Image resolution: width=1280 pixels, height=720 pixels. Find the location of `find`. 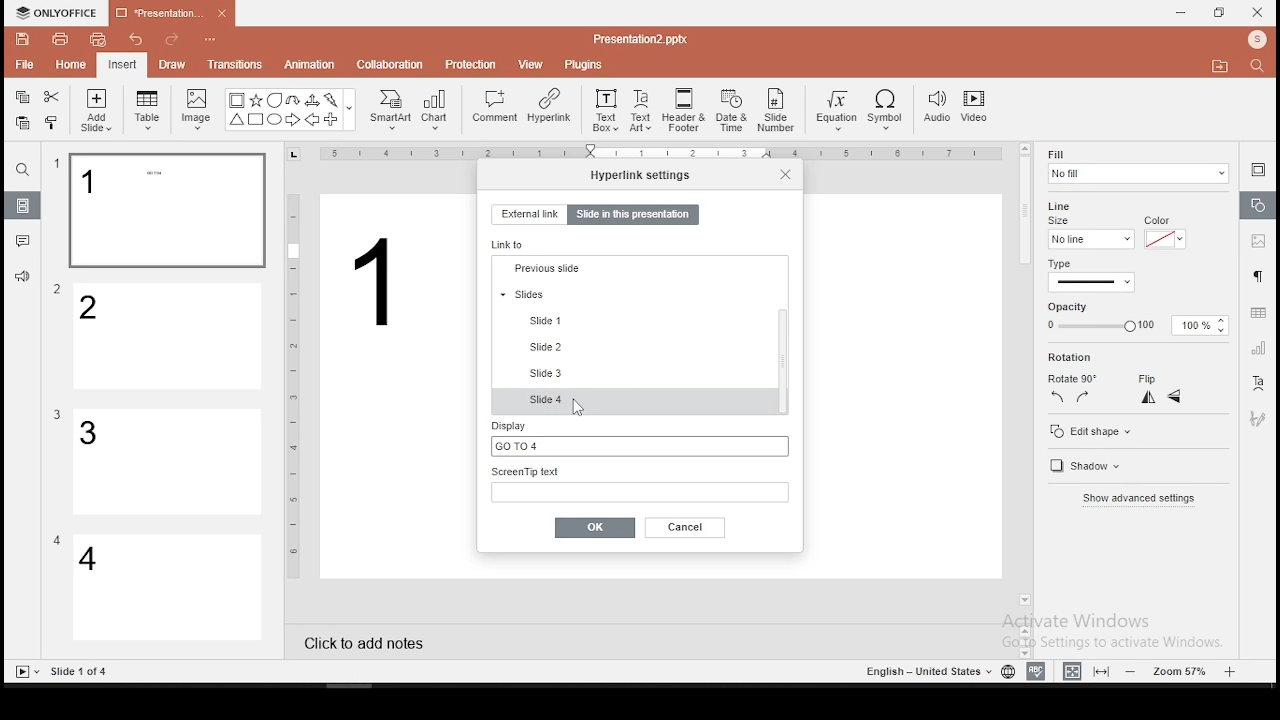

find is located at coordinates (22, 170).